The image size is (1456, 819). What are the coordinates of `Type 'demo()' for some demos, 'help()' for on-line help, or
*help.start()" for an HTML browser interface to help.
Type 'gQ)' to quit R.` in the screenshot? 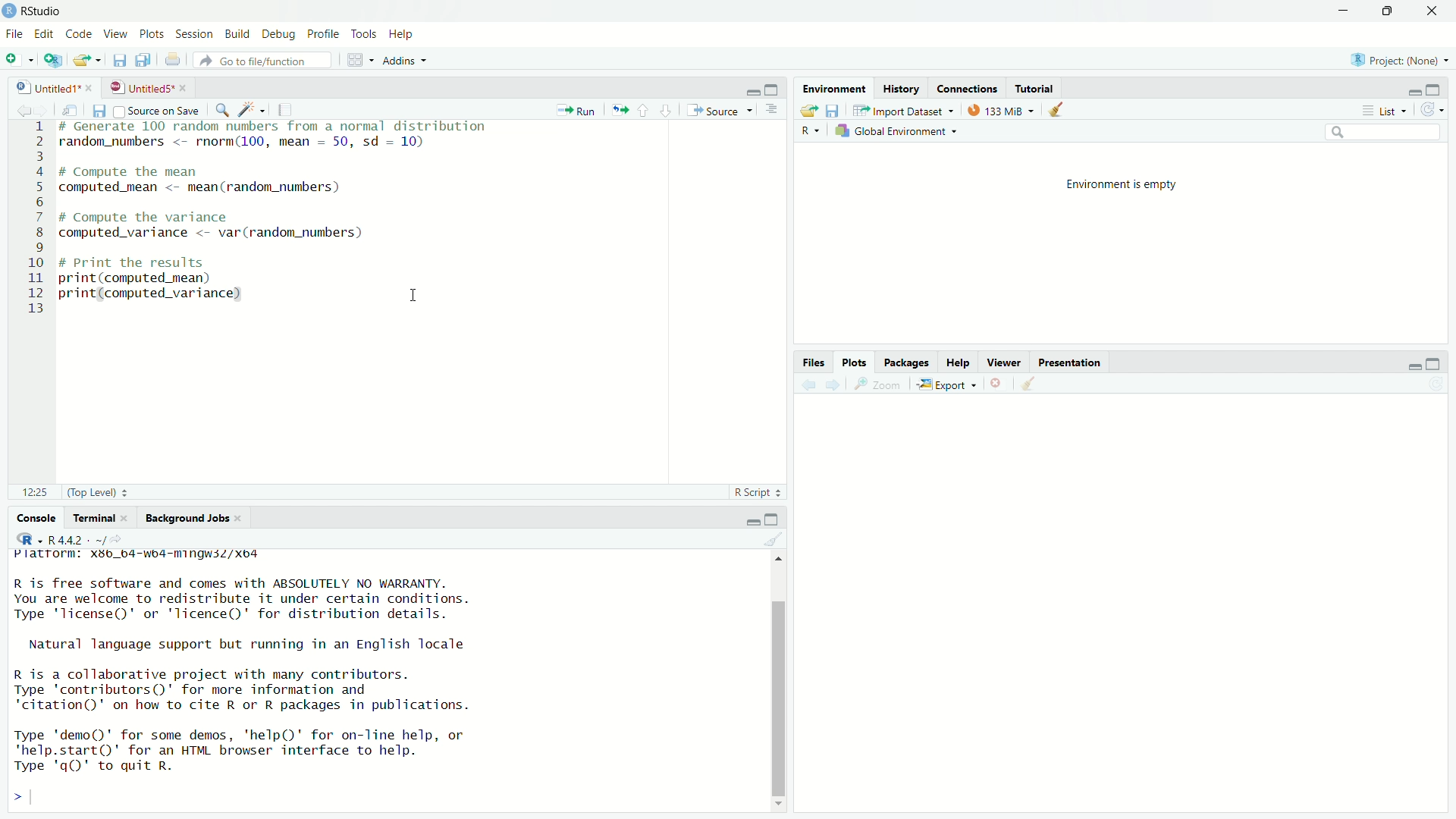 It's located at (273, 751).